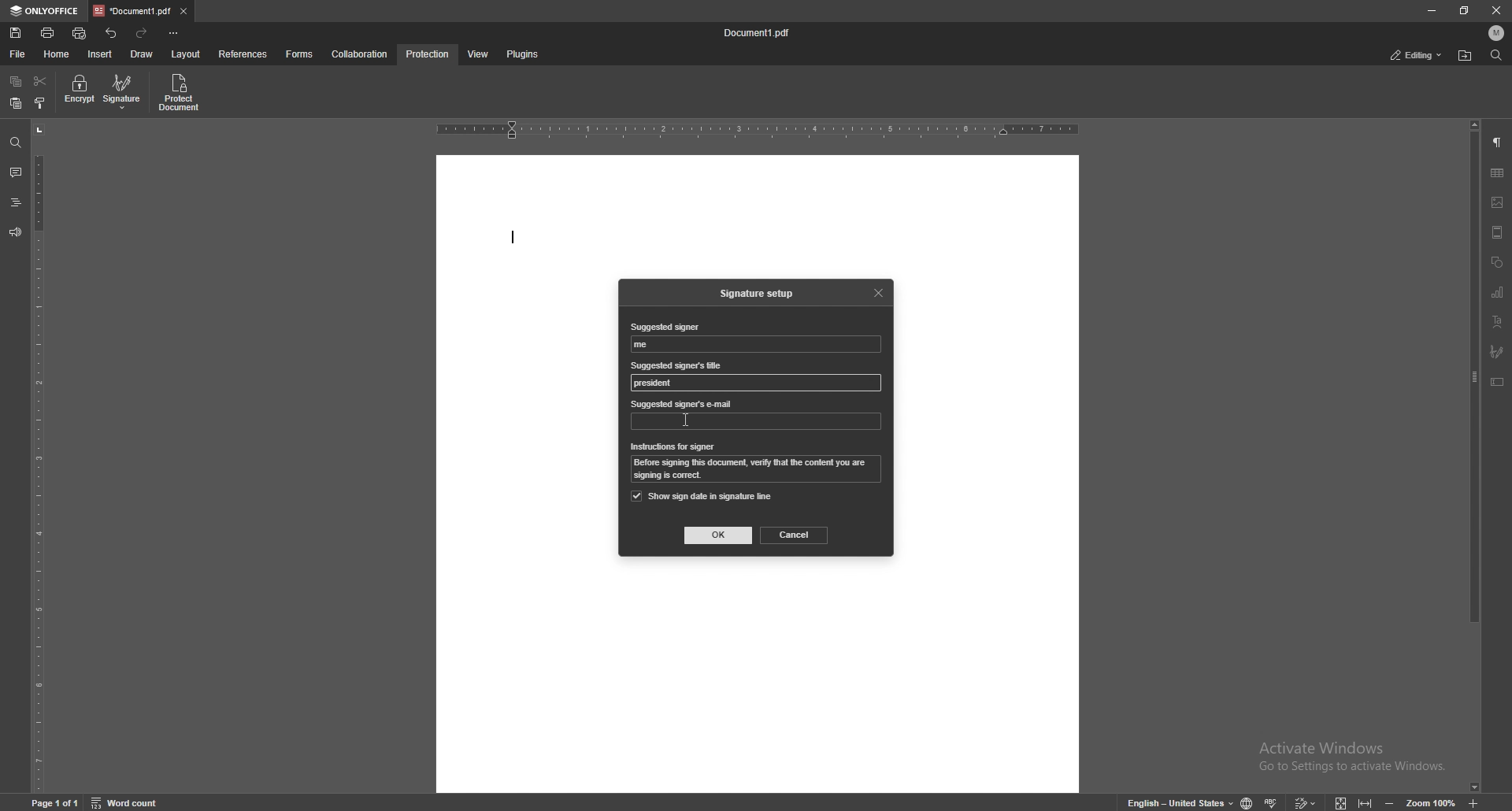 The width and height of the screenshot is (1512, 811). Describe the element at coordinates (758, 33) in the screenshot. I see `file name` at that location.